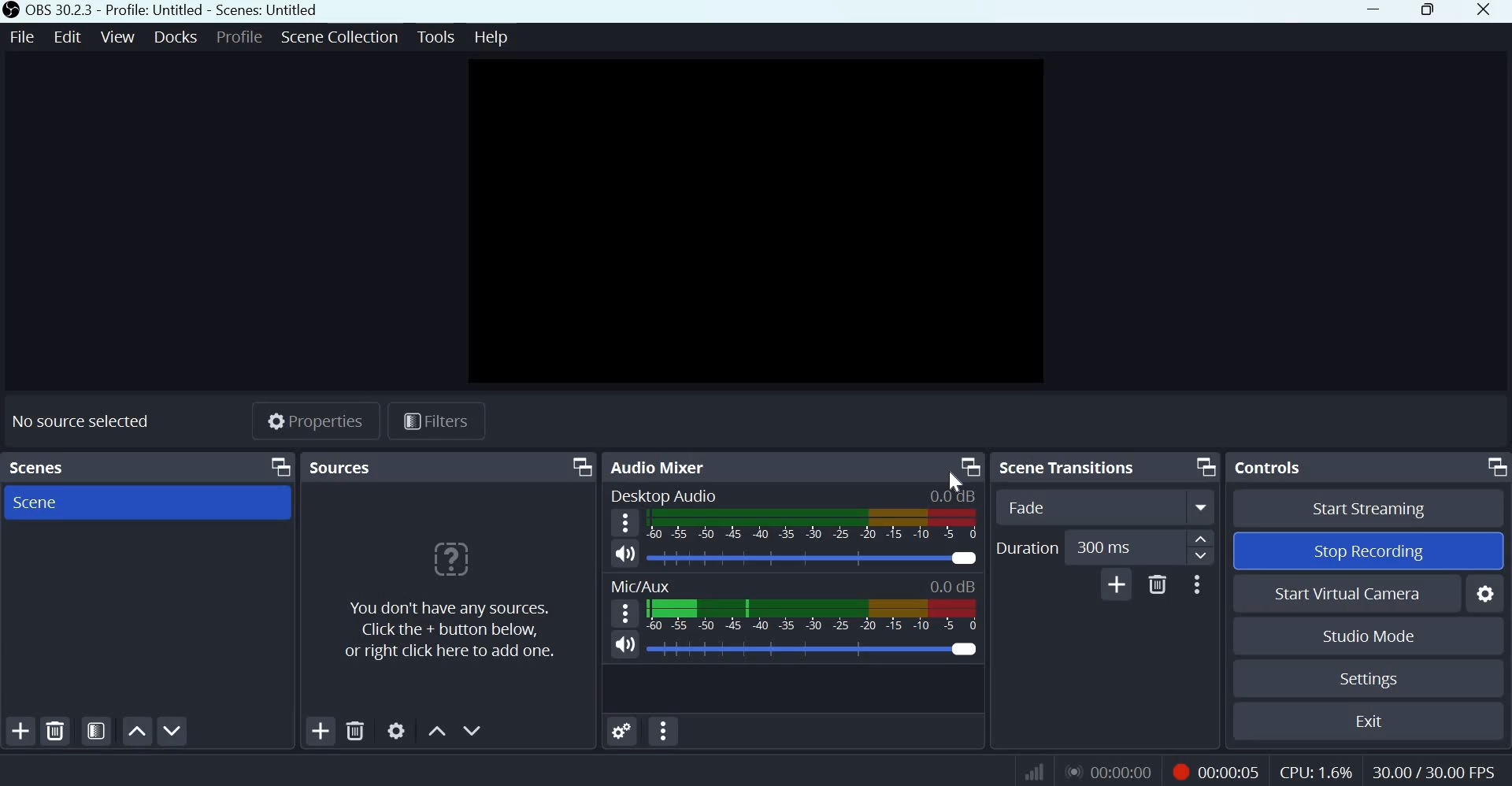  Describe the element at coordinates (174, 37) in the screenshot. I see `Docks` at that location.